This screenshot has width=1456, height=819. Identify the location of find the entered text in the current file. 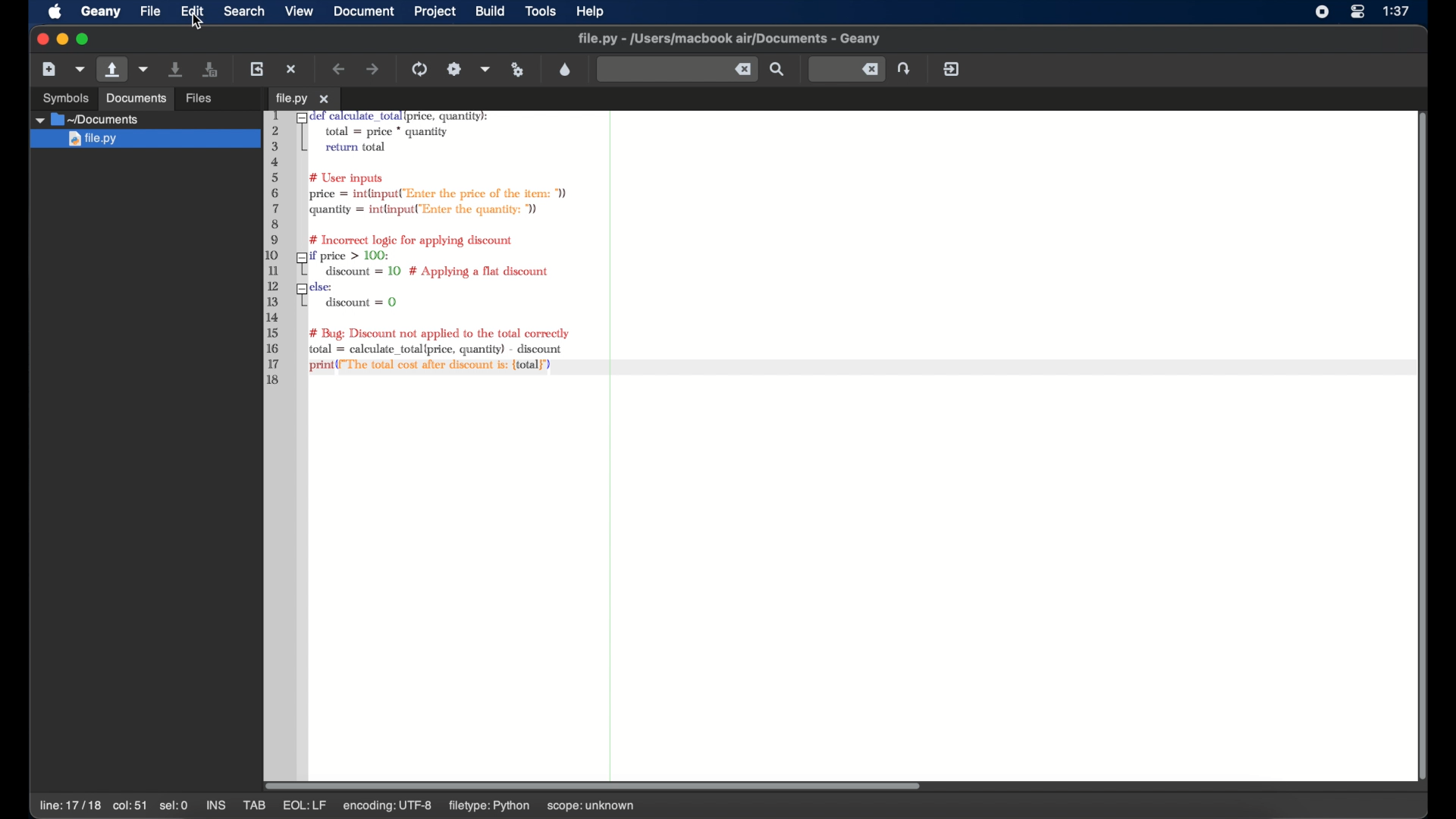
(676, 70).